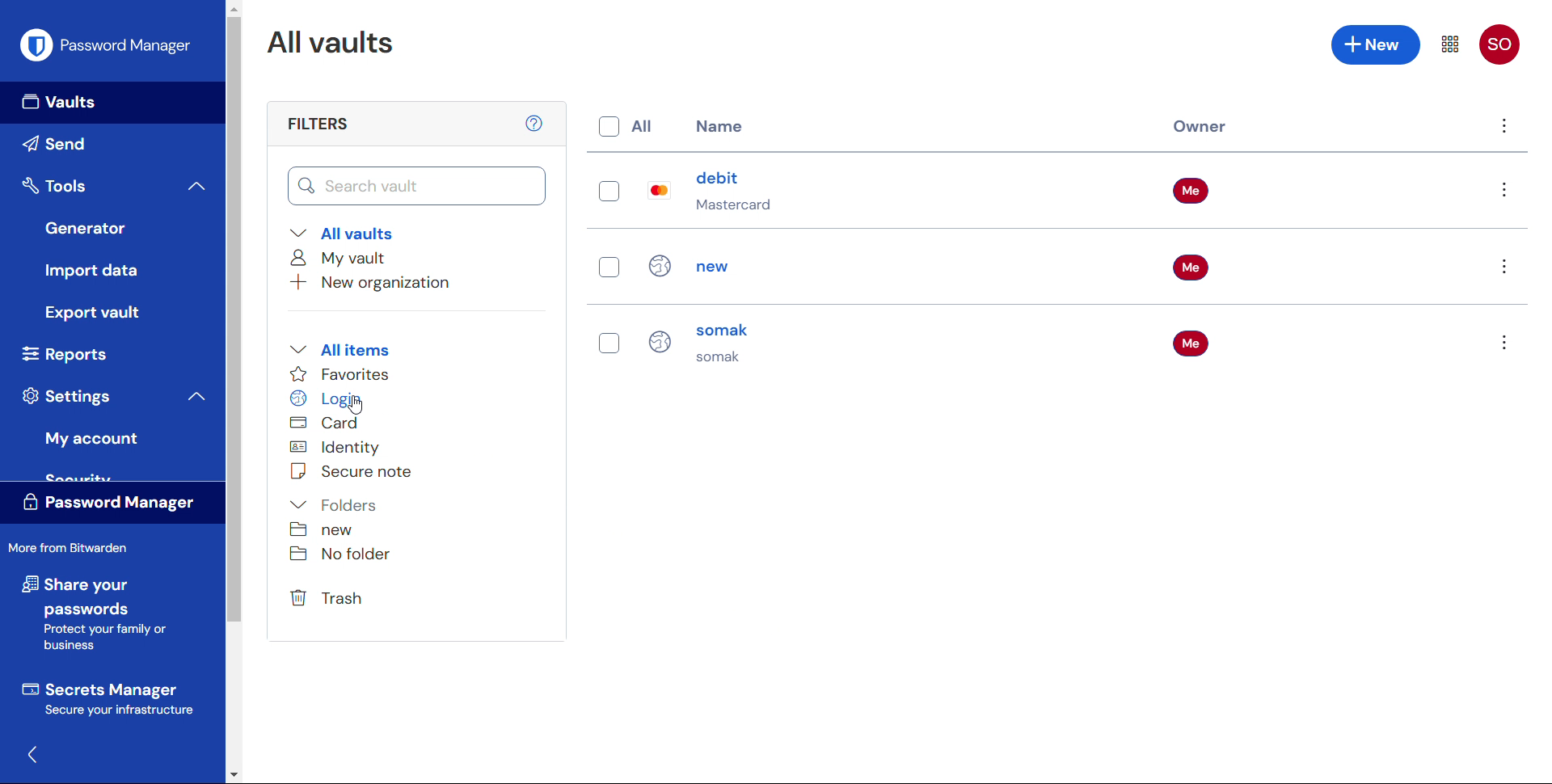 The image size is (1552, 784). I want to click on Share your passwords   protect your family or business., so click(91, 614).